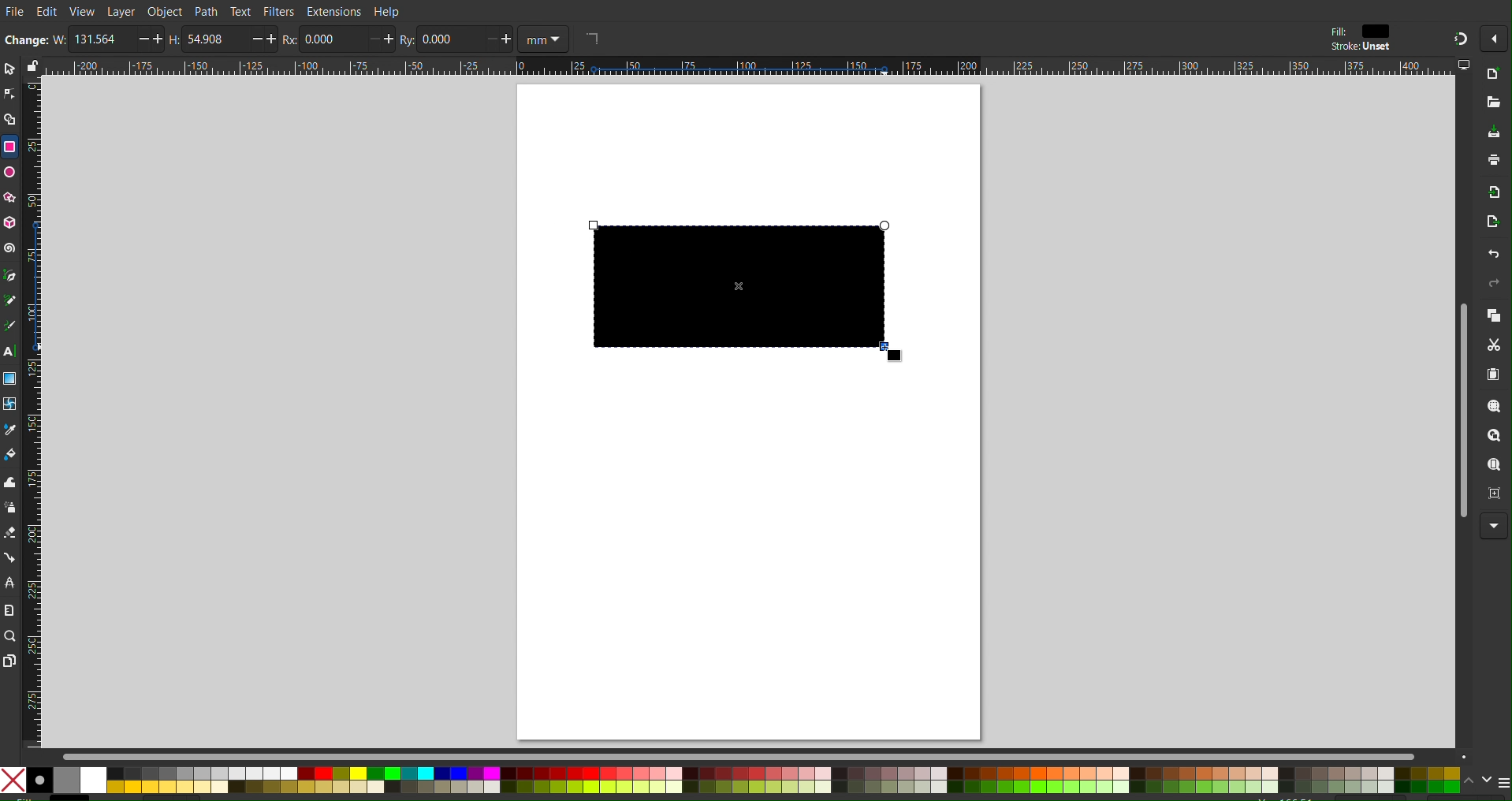 The height and width of the screenshot is (801, 1512). What do you see at coordinates (1494, 525) in the screenshot?
I see `More Options` at bounding box center [1494, 525].